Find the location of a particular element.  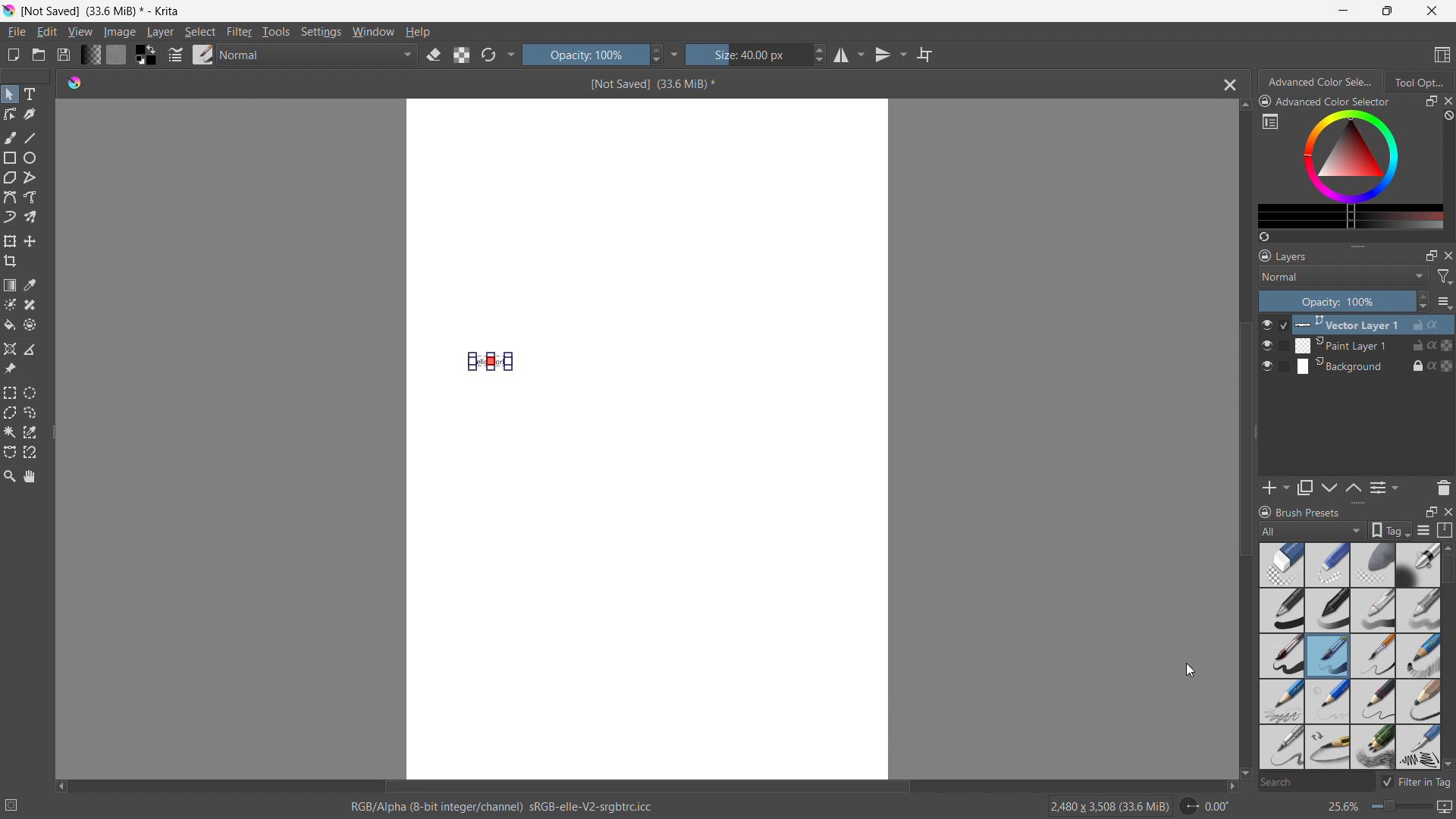

brush presets is located at coordinates (203, 54).